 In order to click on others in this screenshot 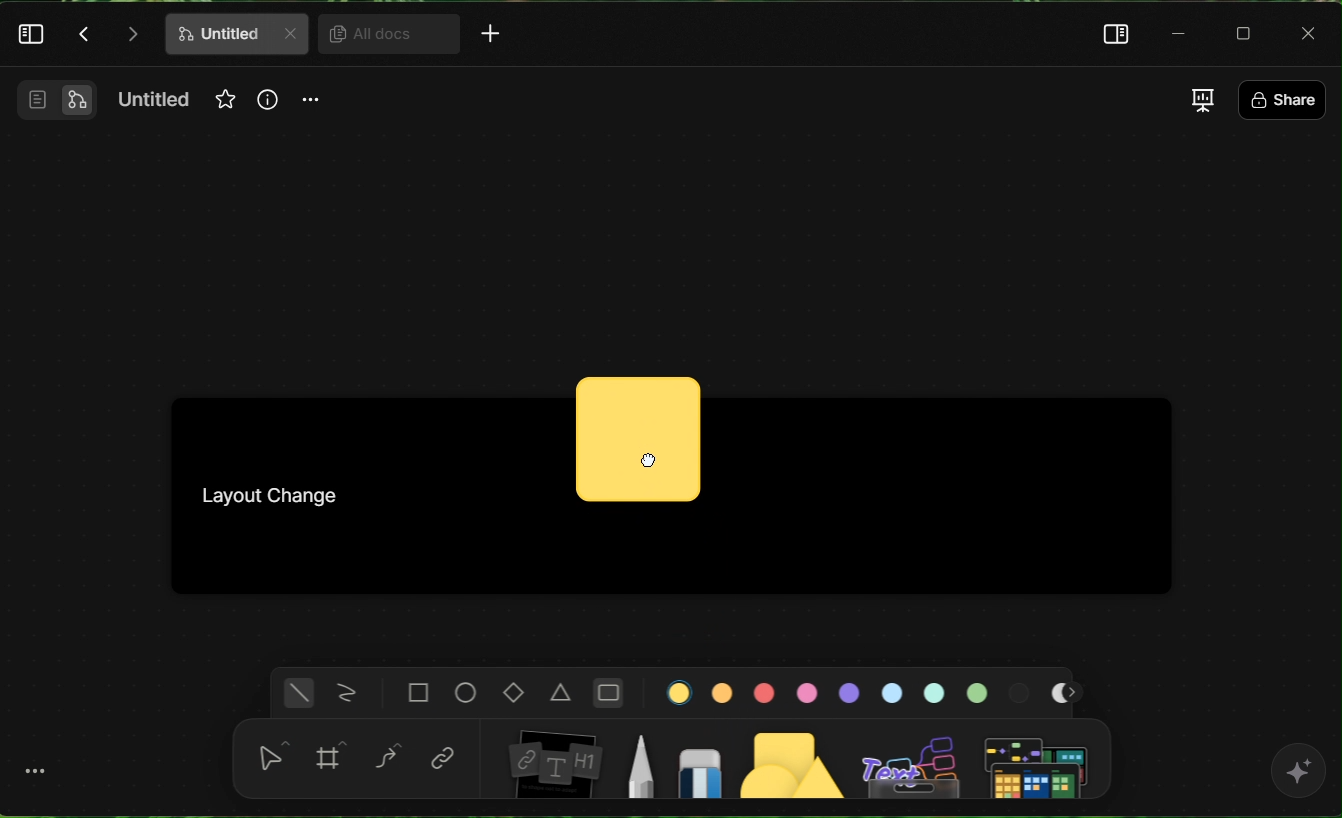, I will do `click(911, 756)`.